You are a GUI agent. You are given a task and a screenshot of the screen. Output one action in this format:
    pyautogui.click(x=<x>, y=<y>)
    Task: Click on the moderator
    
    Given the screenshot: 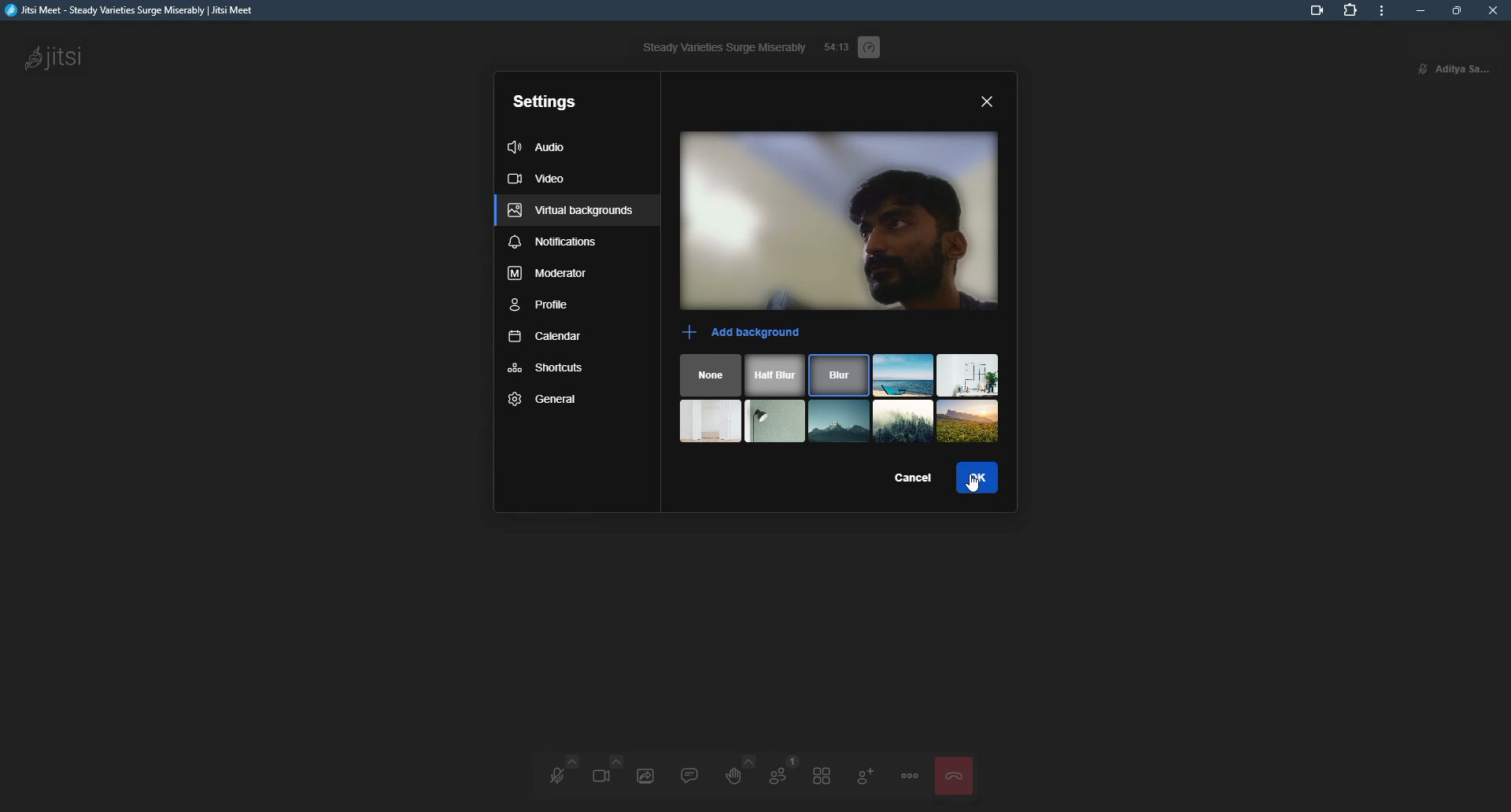 What is the action you would take?
    pyautogui.click(x=549, y=276)
    